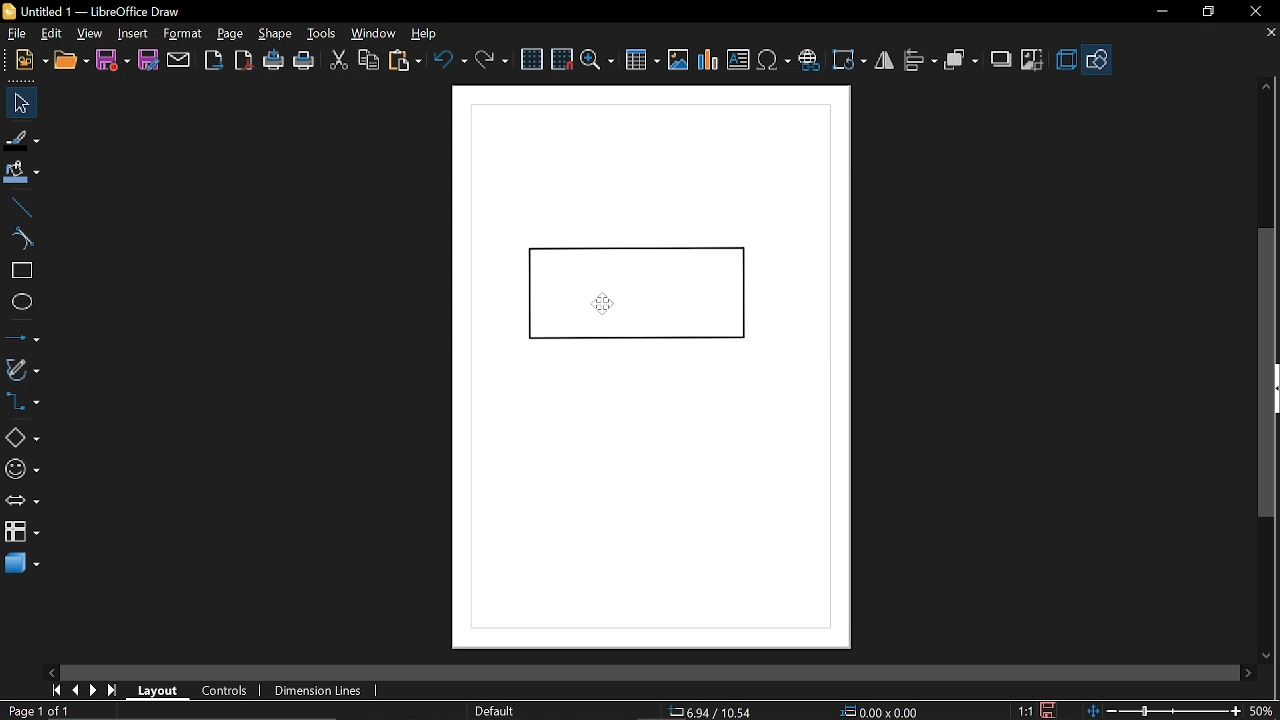  Describe the element at coordinates (1252, 12) in the screenshot. I see `close` at that location.